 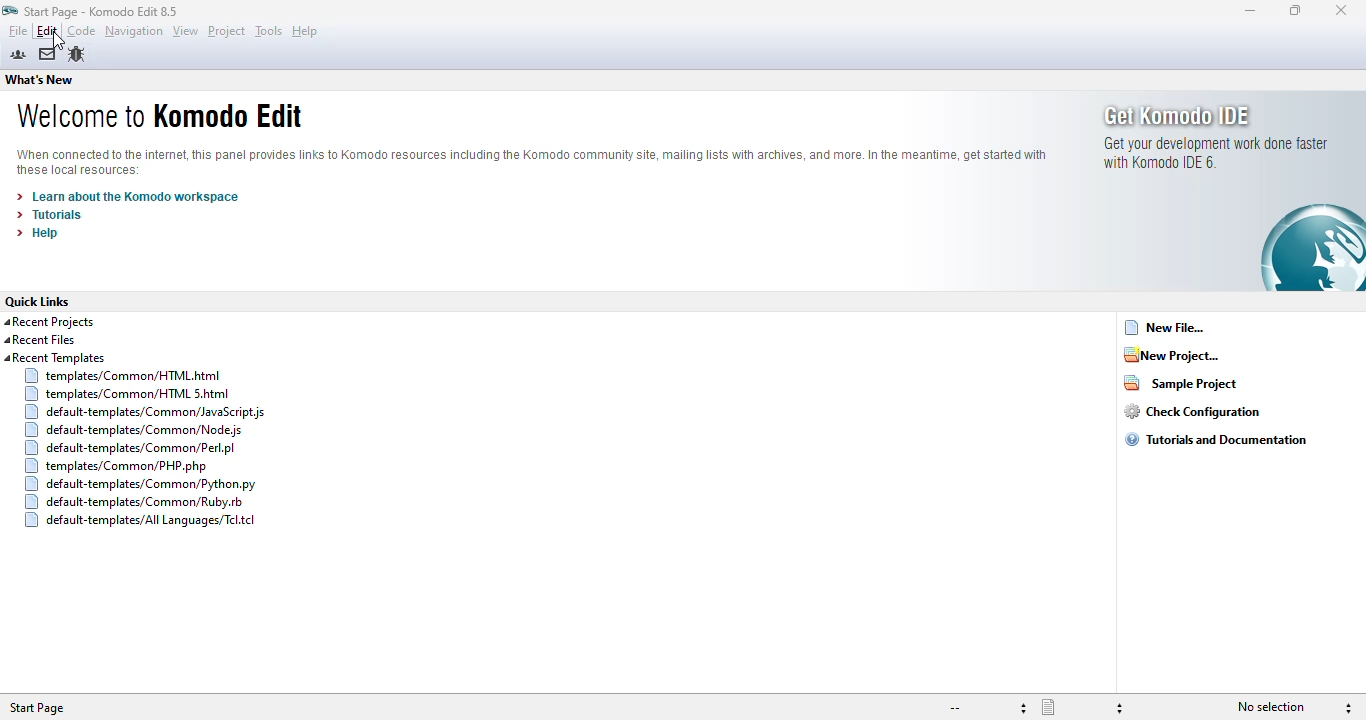 I want to click on recent projects, so click(x=51, y=322).